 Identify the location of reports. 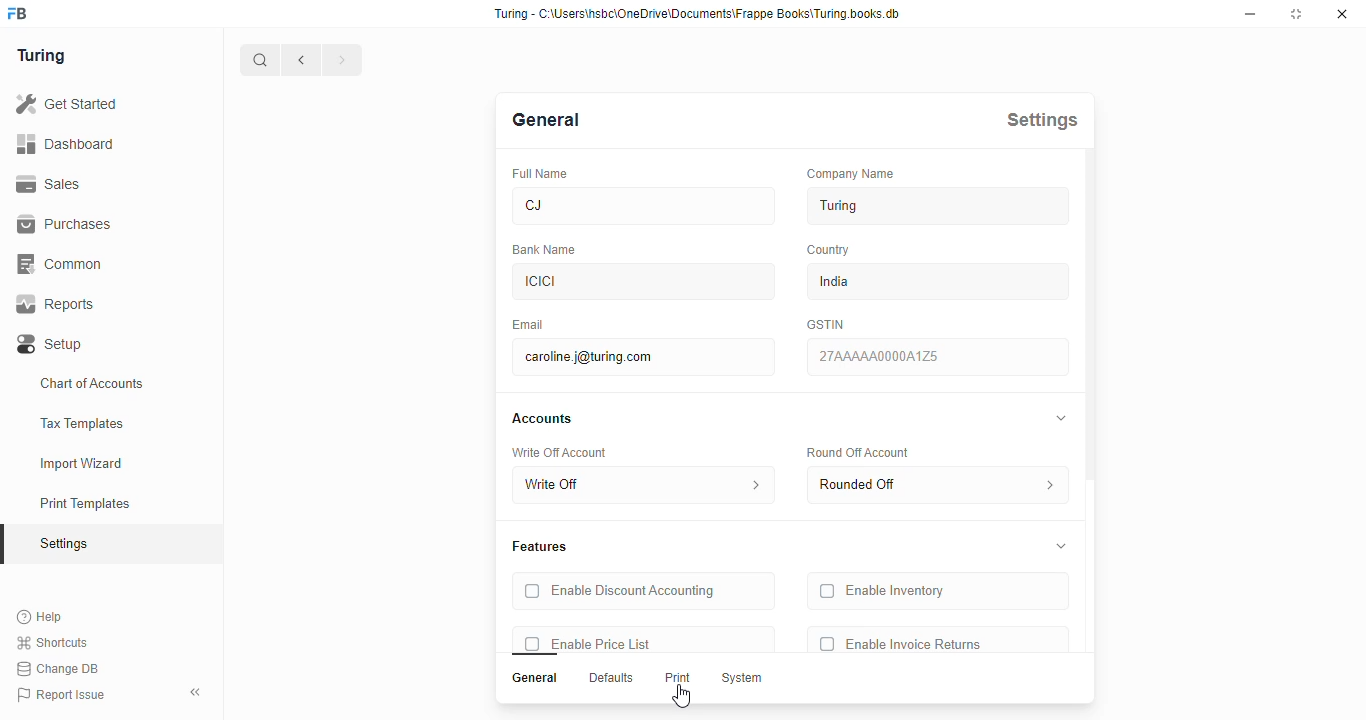
(56, 304).